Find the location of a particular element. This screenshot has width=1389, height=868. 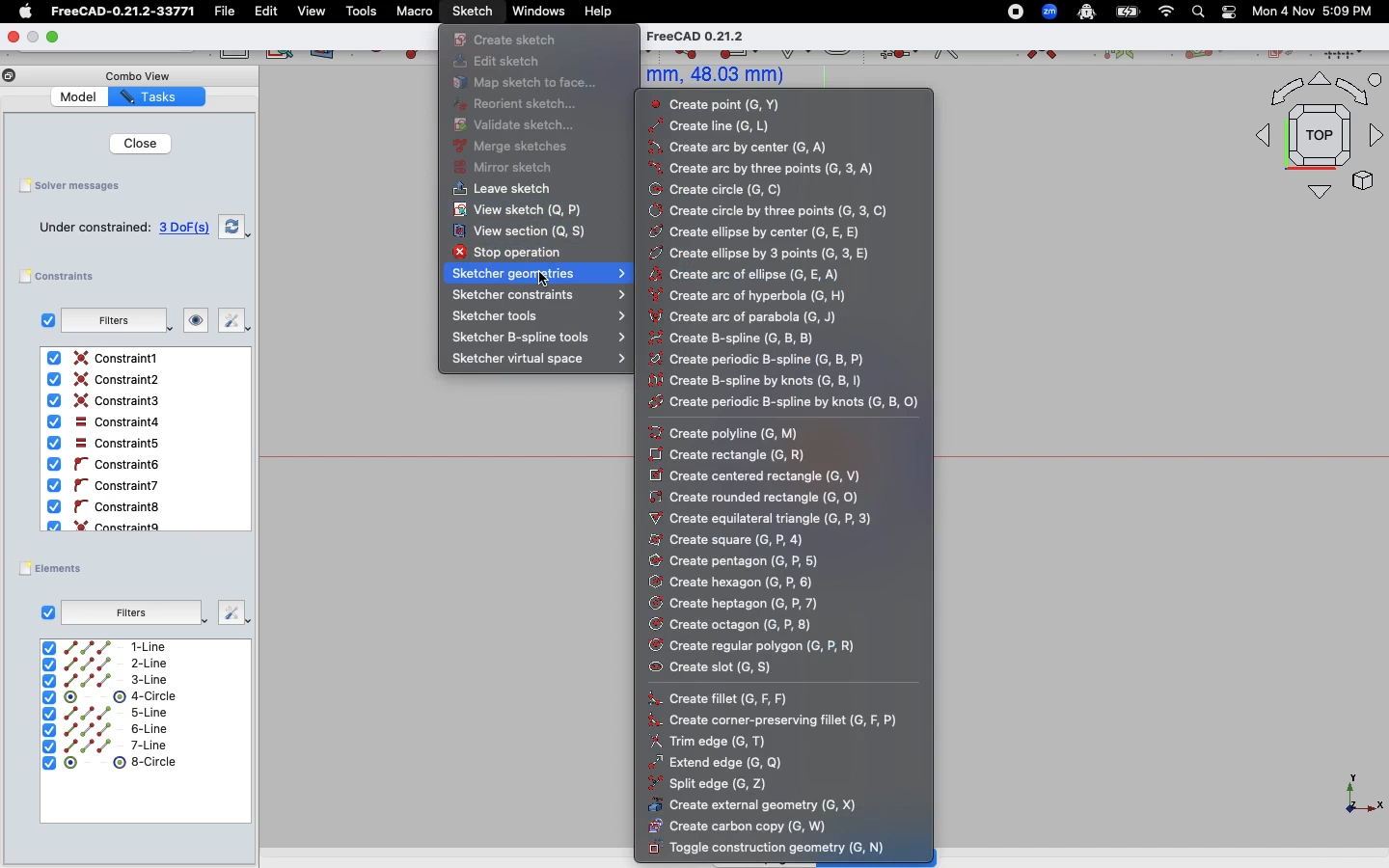

Constraints is located at coordinates (65, 277).